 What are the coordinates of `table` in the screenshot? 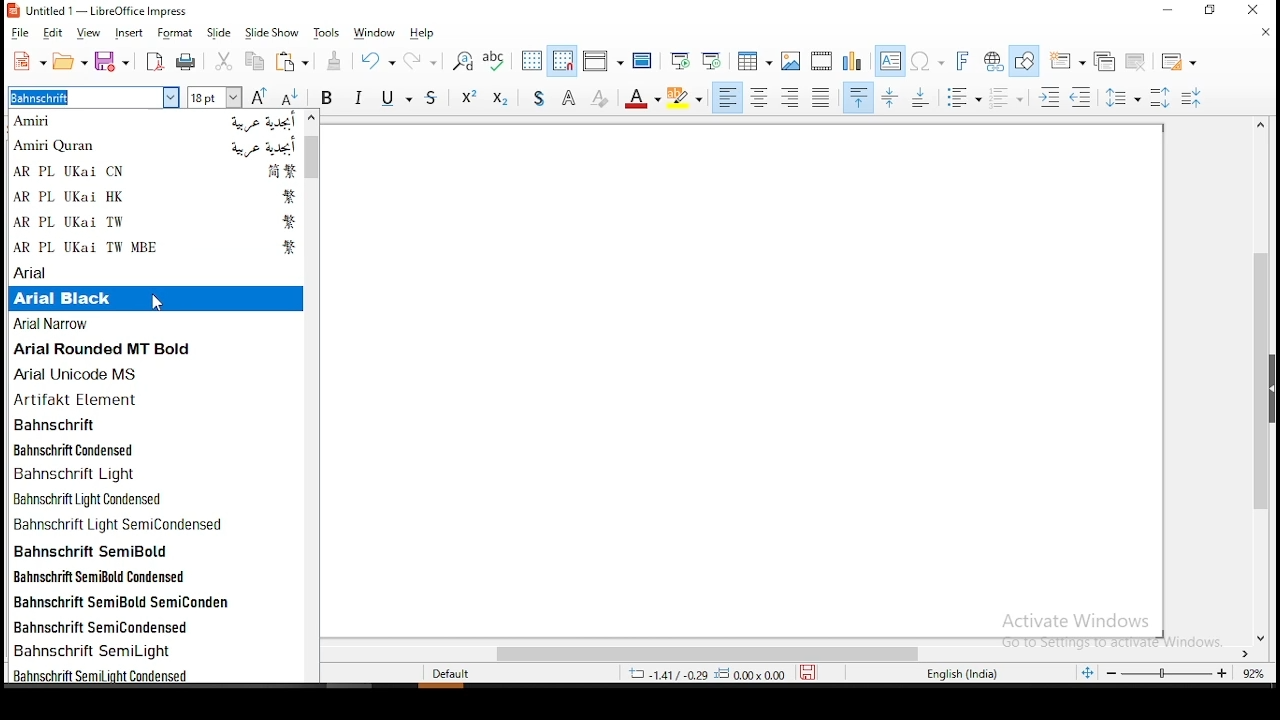 It's located at (753, 60).